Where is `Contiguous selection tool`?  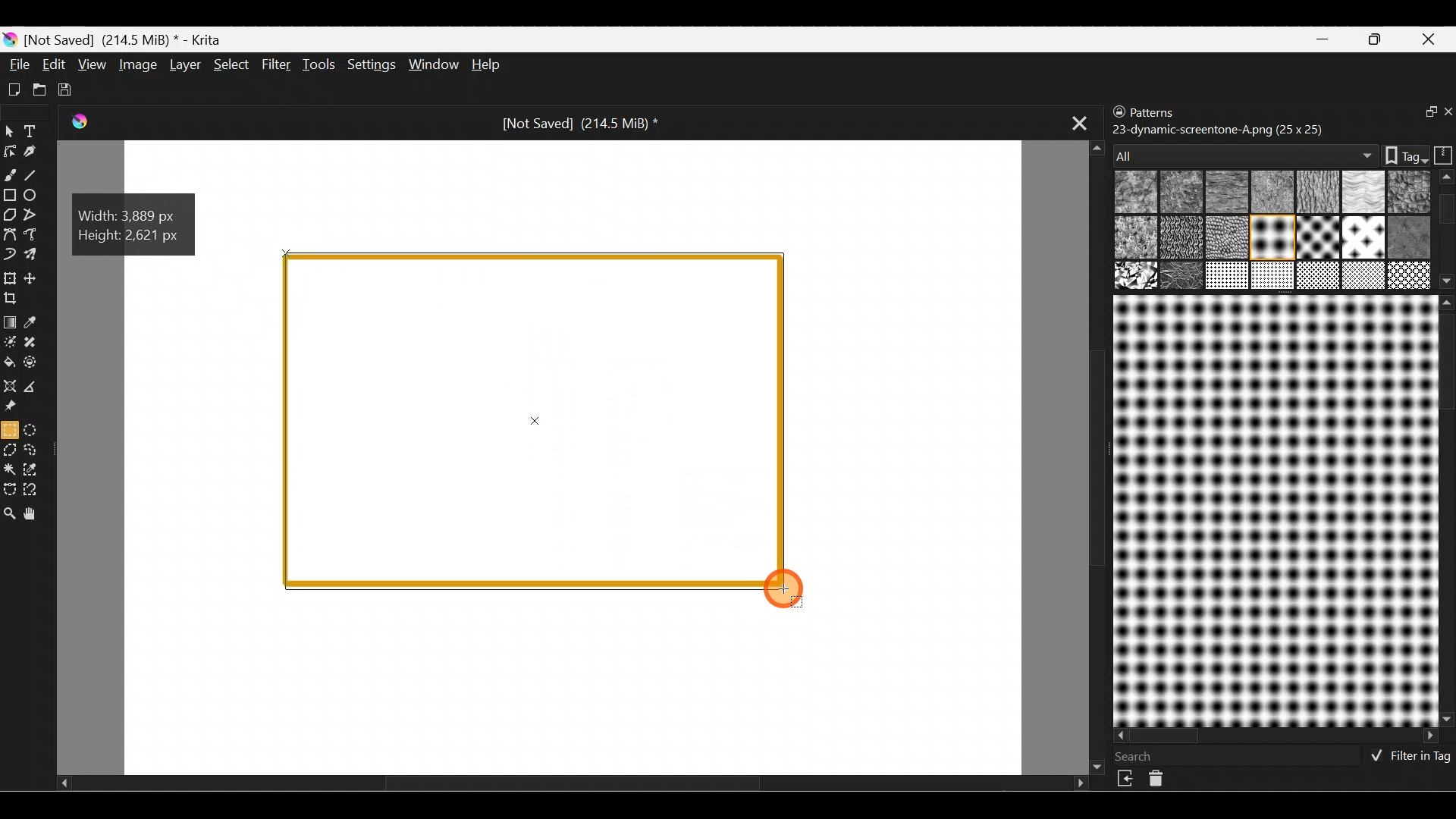 Contiguous selection tool is located at coordinates (11, 470).